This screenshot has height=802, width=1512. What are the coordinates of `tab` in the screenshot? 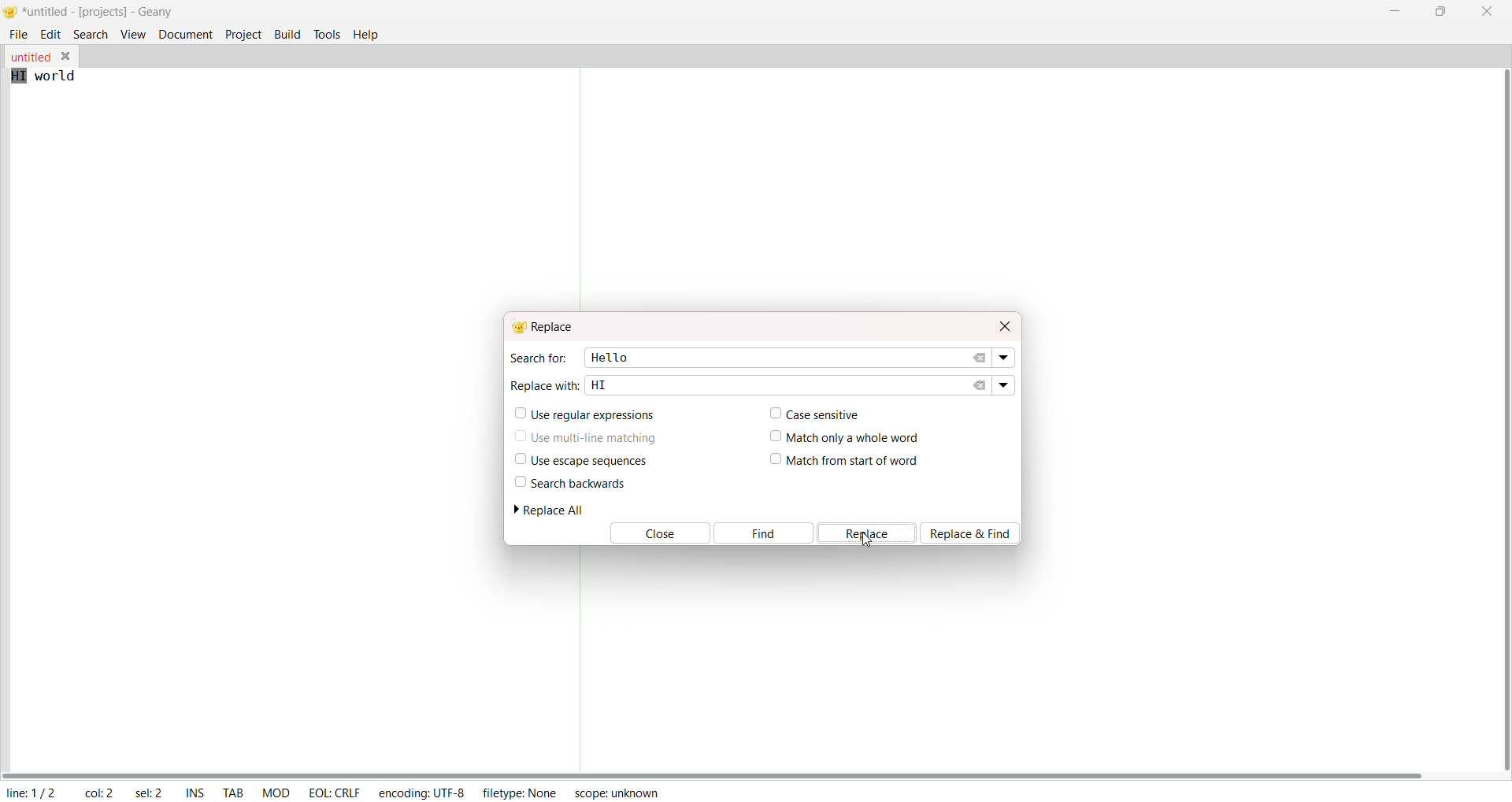 It's located at (234, 794).